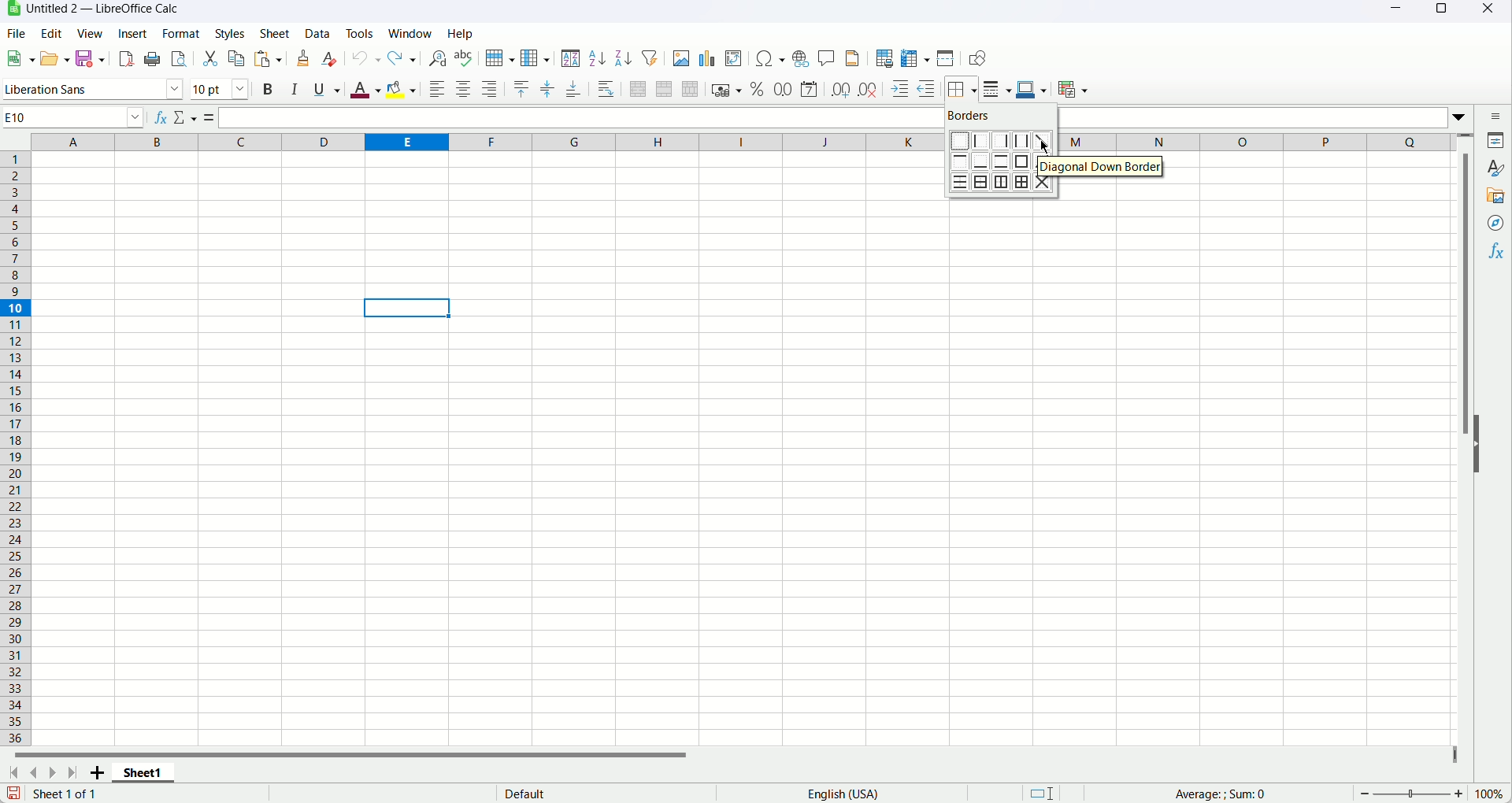  Describe the element at coordinates (144, 775) in the screenshot. I see `Sheet 1` at that location.